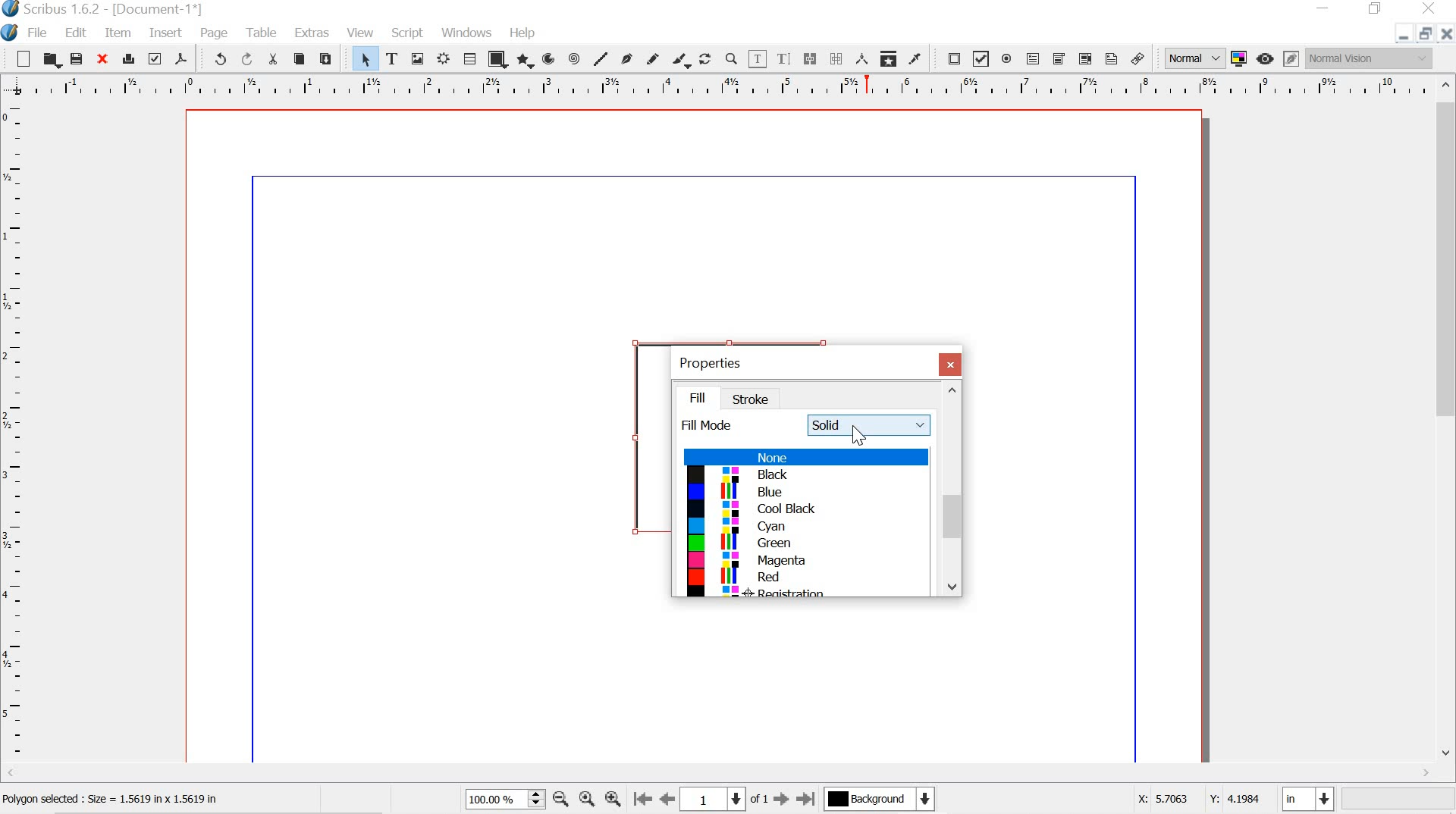  I want to click on 1, so click(717, 798).